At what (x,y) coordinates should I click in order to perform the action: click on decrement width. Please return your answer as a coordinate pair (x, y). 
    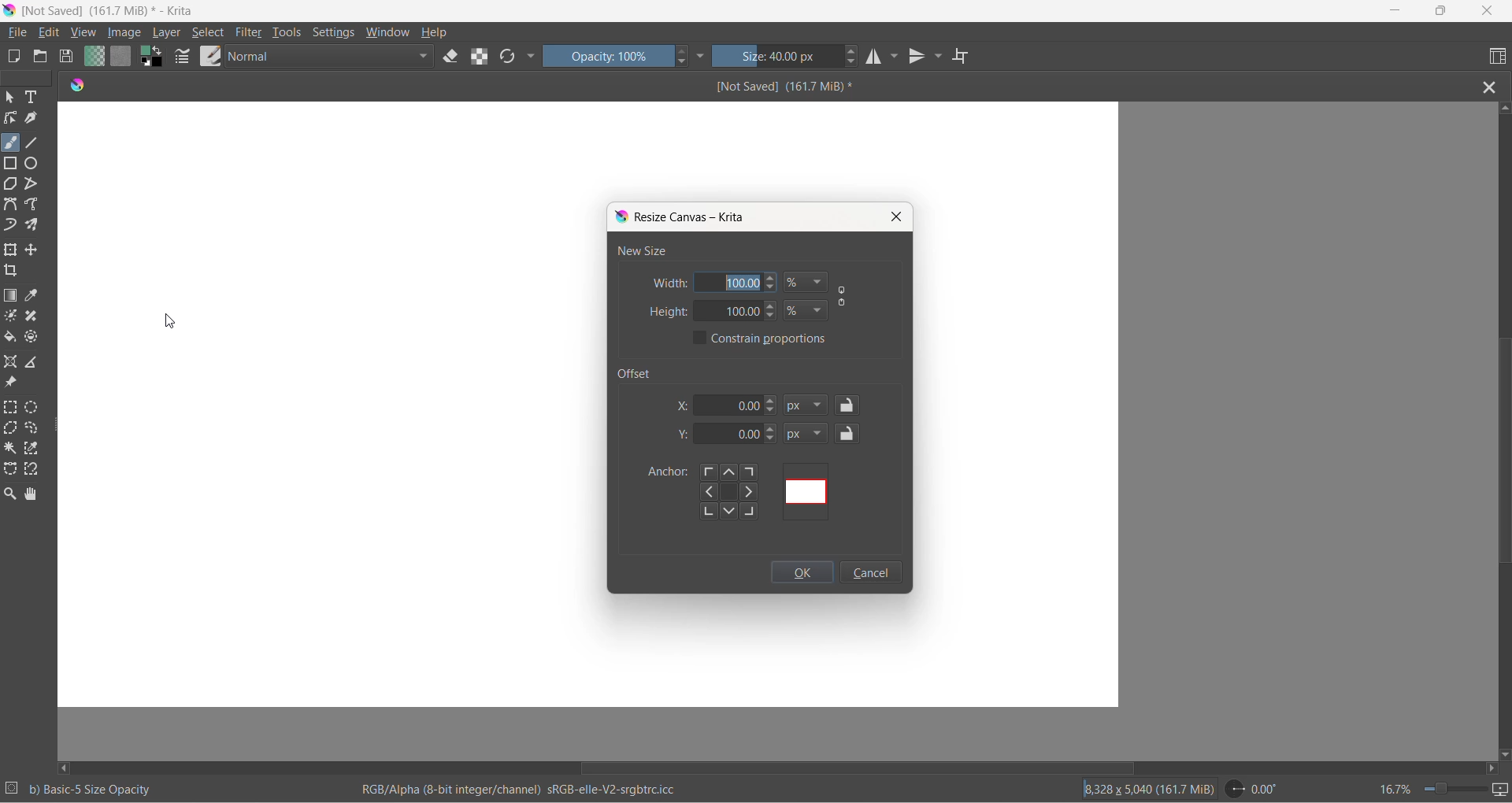
    Looking at the image, I should click on (776, 288).